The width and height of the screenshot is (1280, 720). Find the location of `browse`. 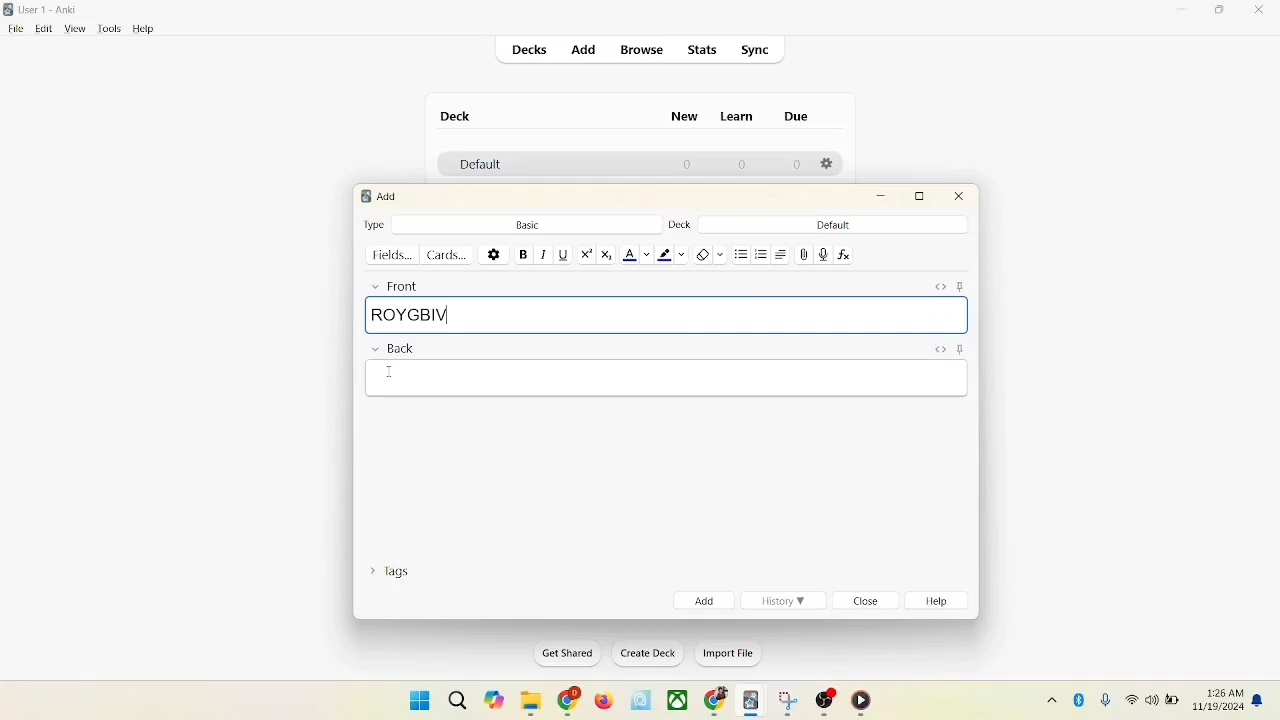

browse is located at coordinates (644, 51).